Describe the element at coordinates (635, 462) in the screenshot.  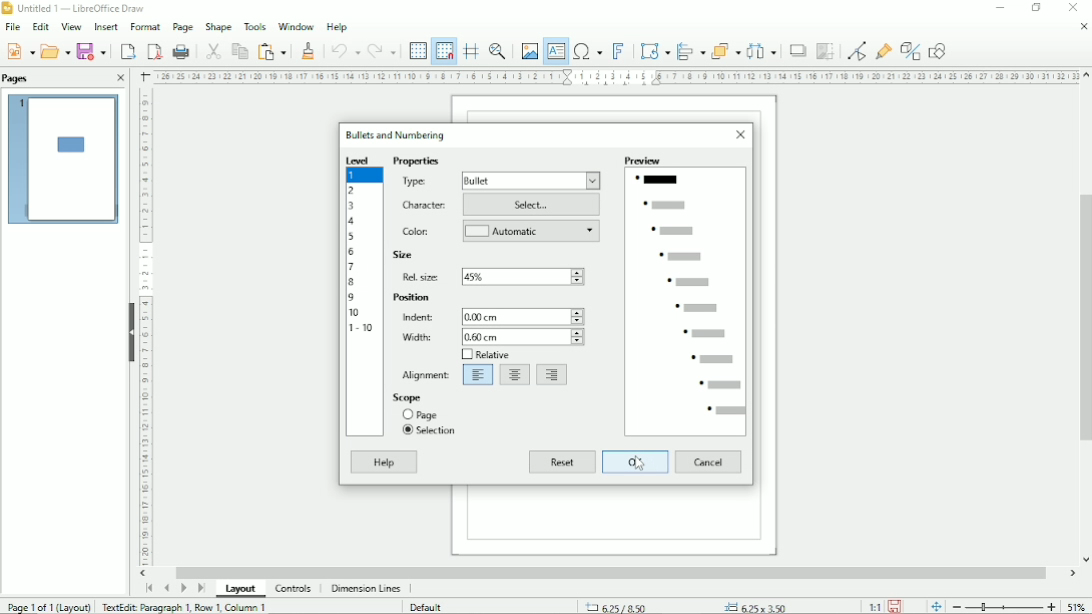
I see `OK` at that location.